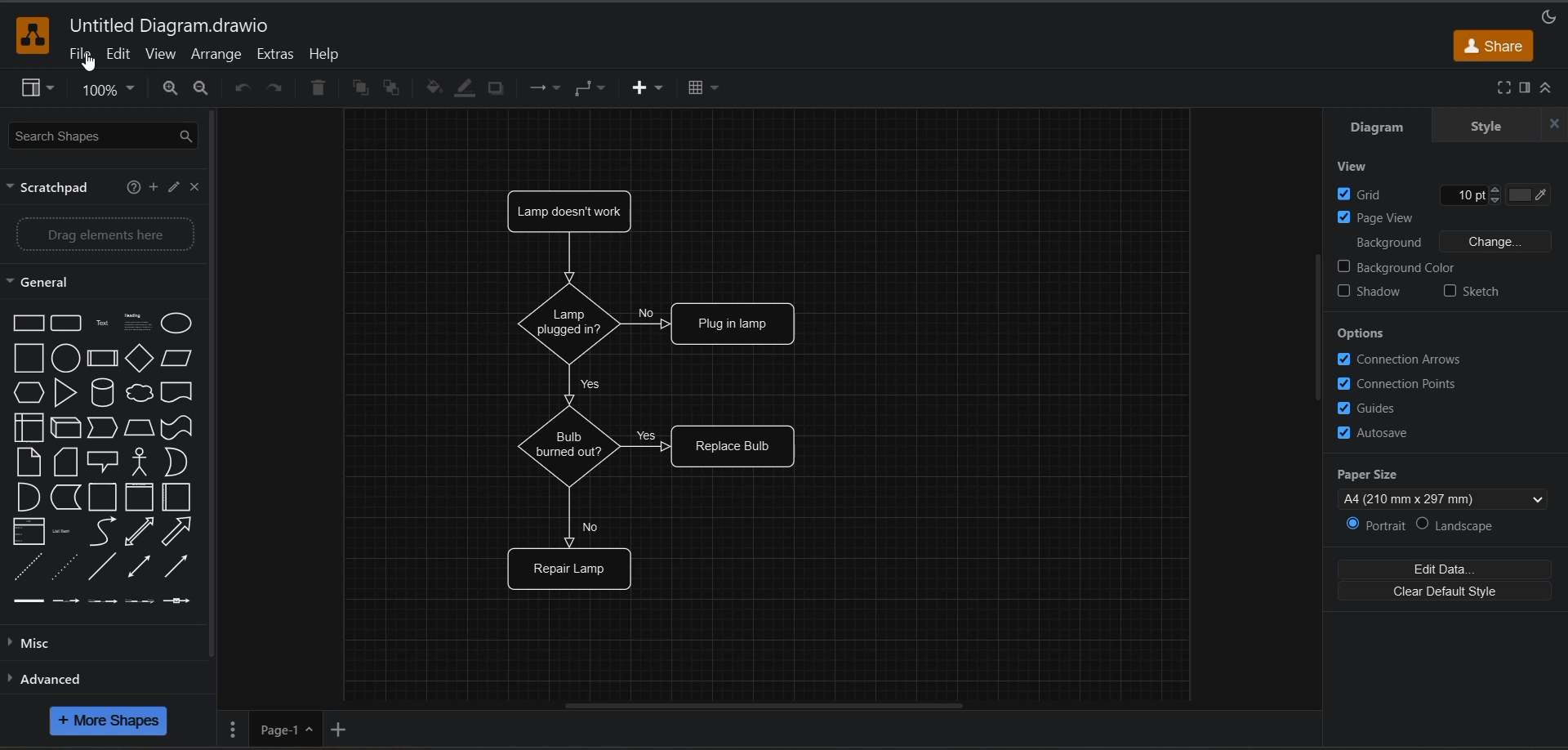  I want to click on portrait, so click(1367, 525).